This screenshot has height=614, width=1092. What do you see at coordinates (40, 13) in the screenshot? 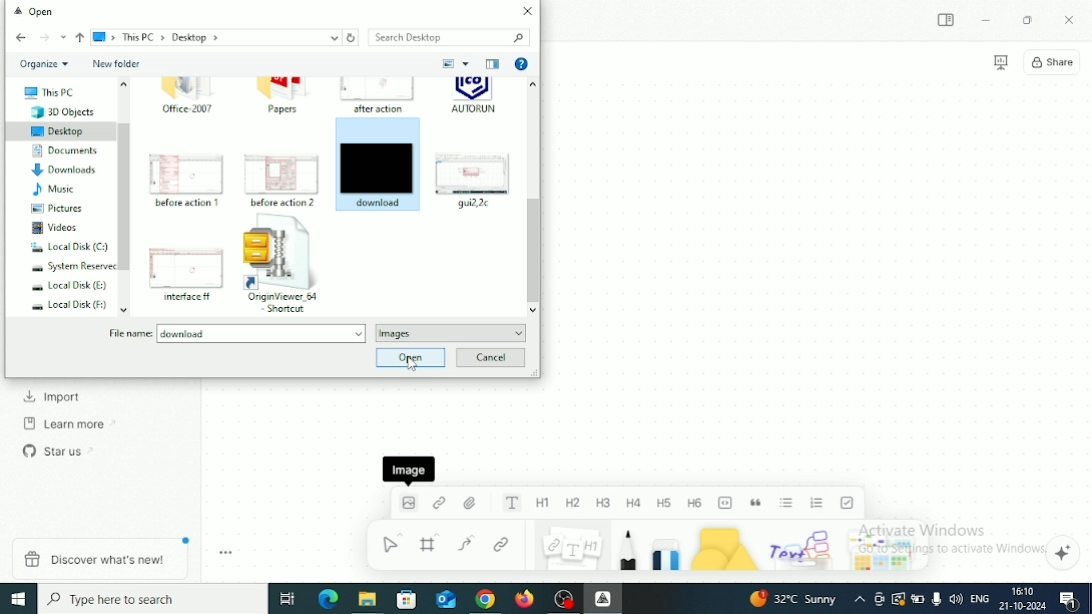
I see `Open` at bounding box center [40, 13].